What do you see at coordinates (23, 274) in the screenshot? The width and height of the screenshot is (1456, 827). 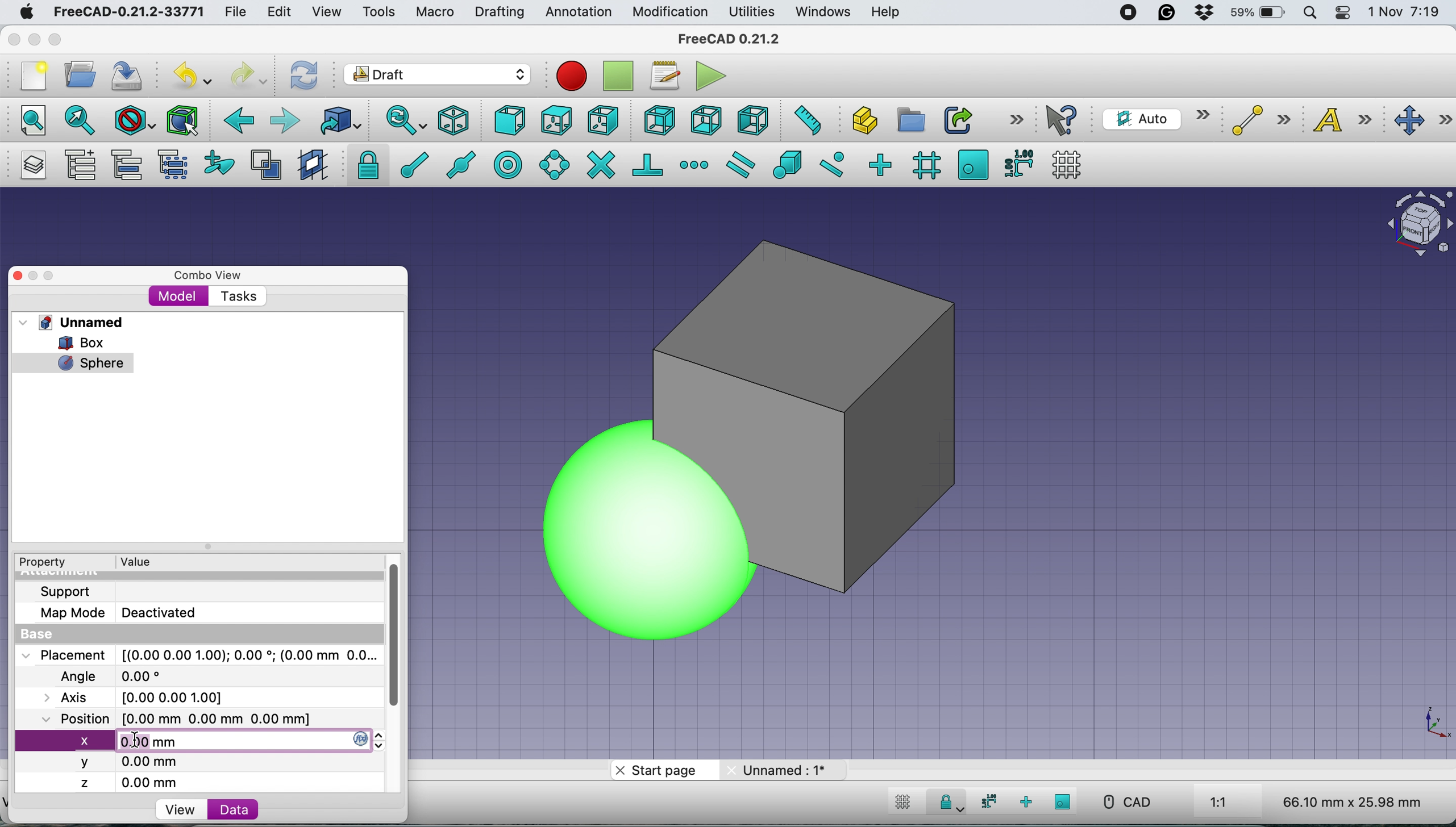 I see `close` at bounding box center [23, 274].